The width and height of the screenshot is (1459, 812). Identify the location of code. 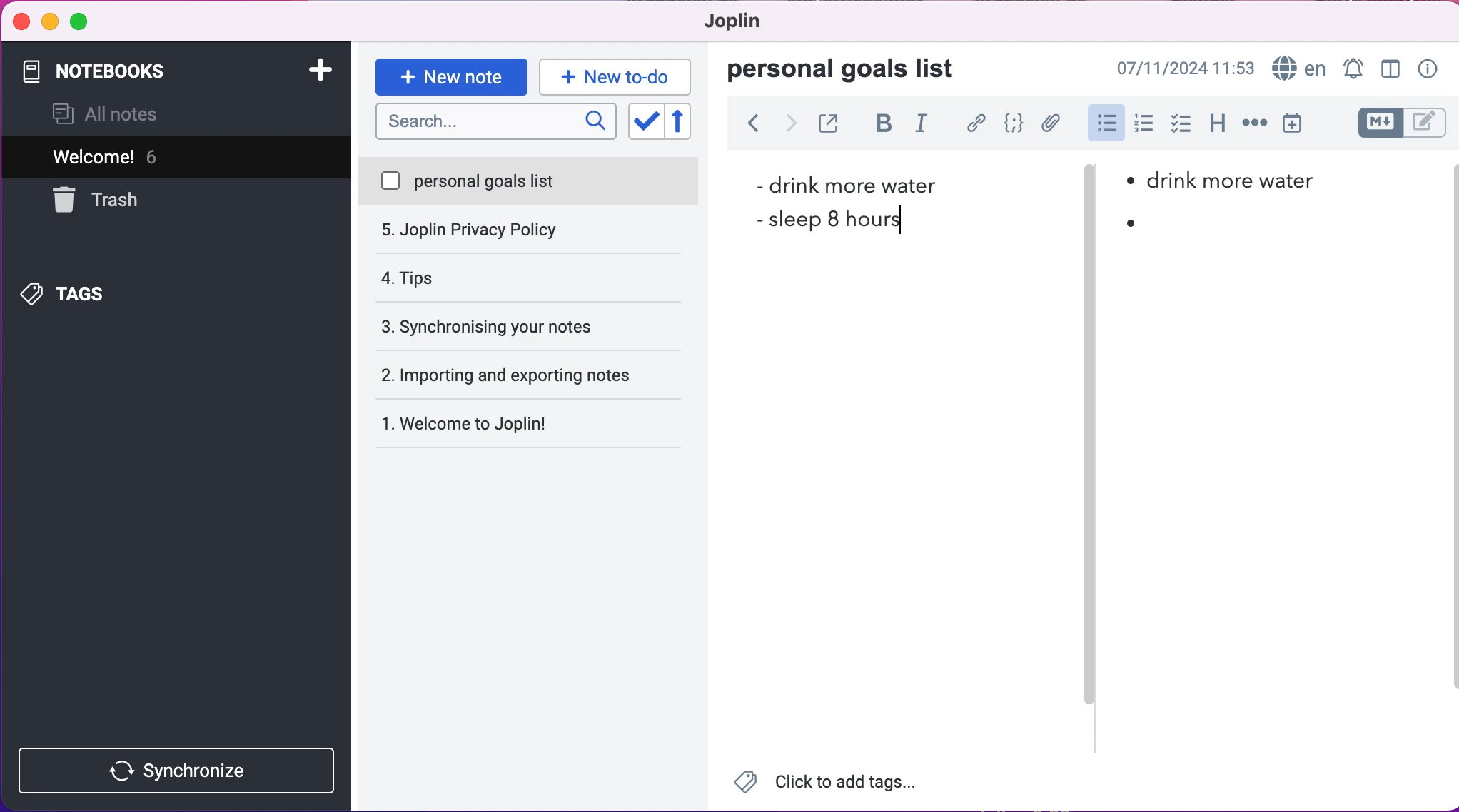
(1011, 124).